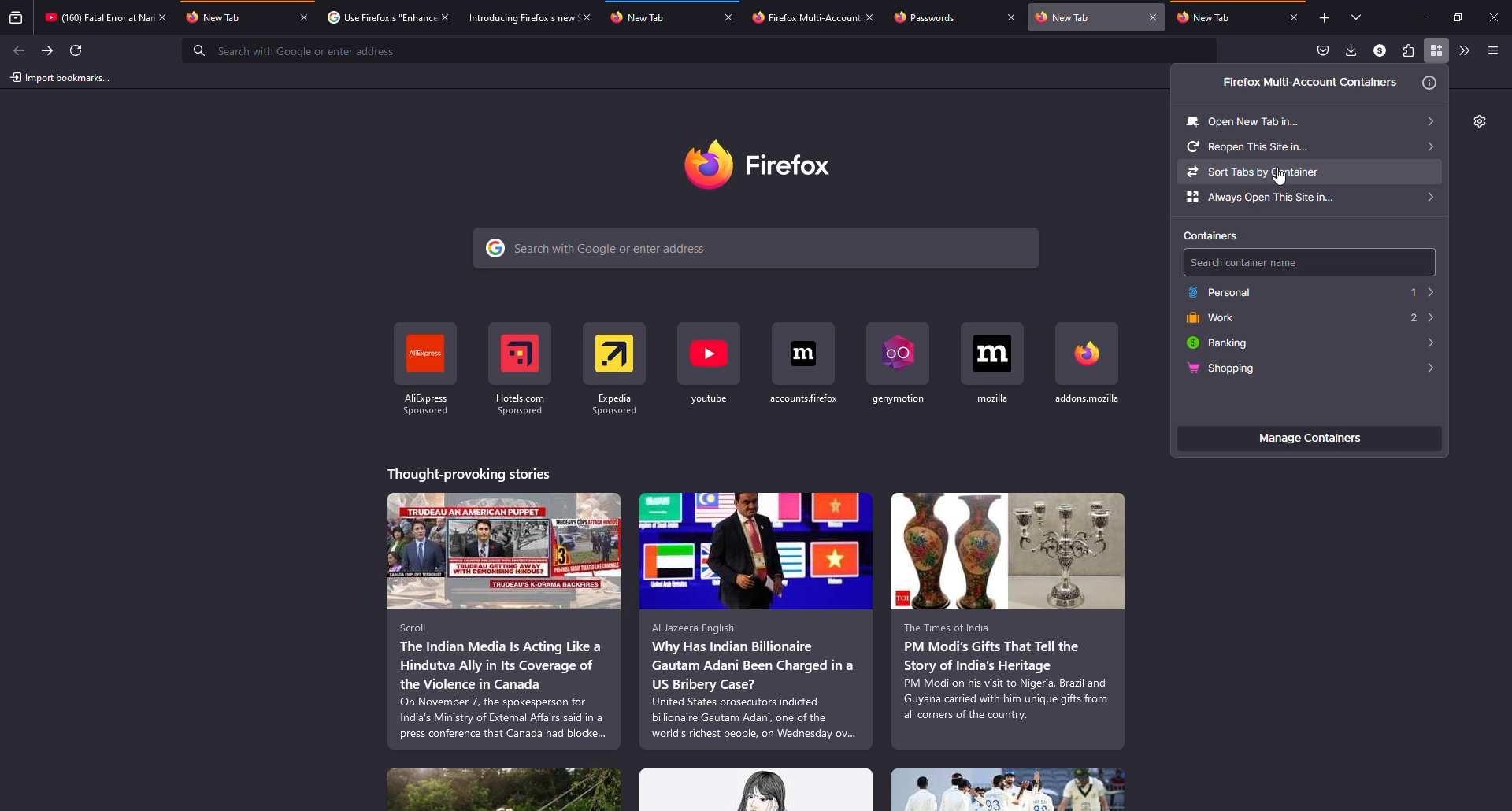  I want to click on tab, so click(1085, 17).